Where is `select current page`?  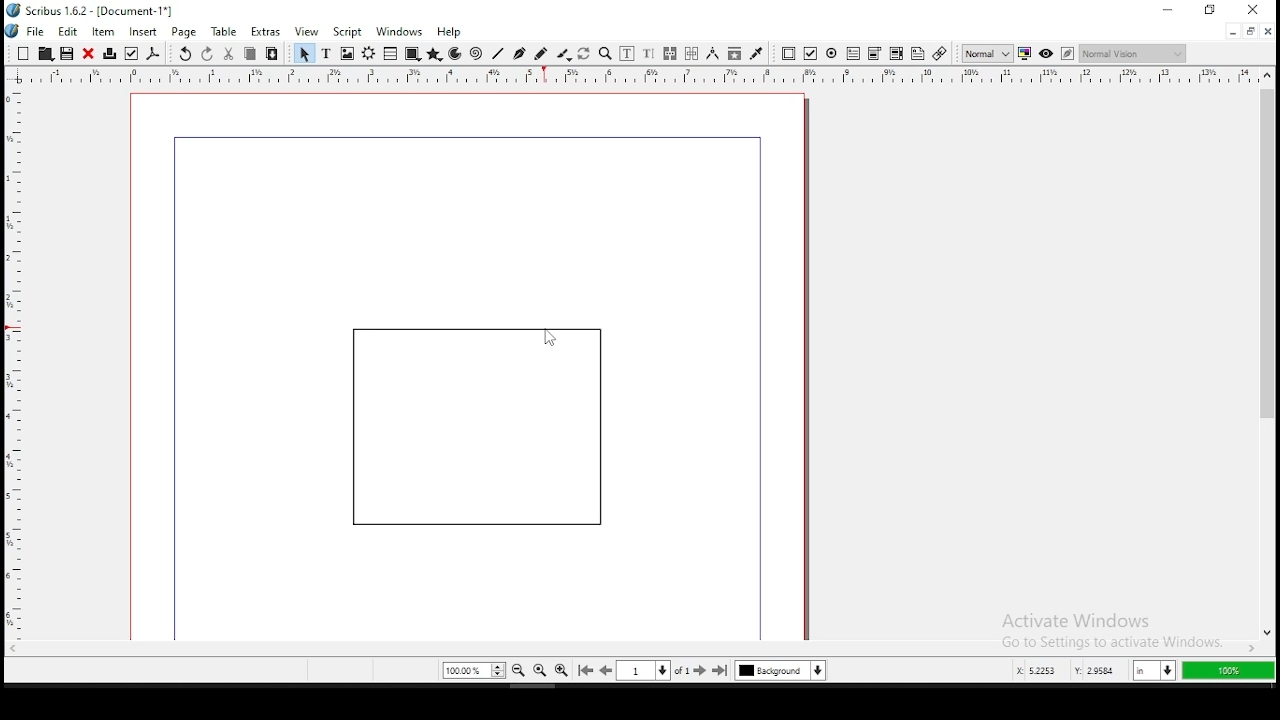 select current page is located at coordinates (643, 670).